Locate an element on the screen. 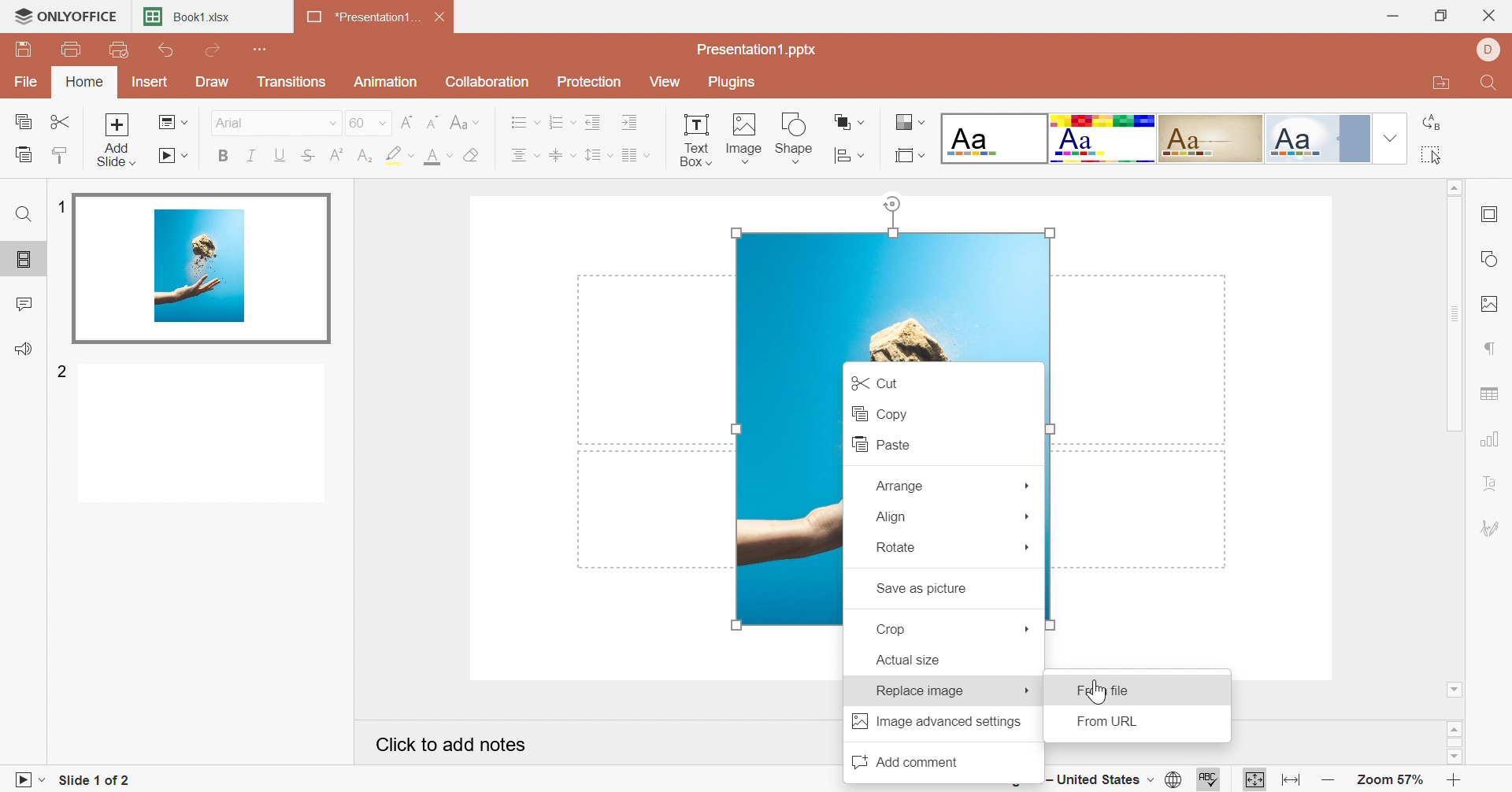 The height and width of the screenshot is (792, 1512). English - United States is located at coordinates (1099, 782).